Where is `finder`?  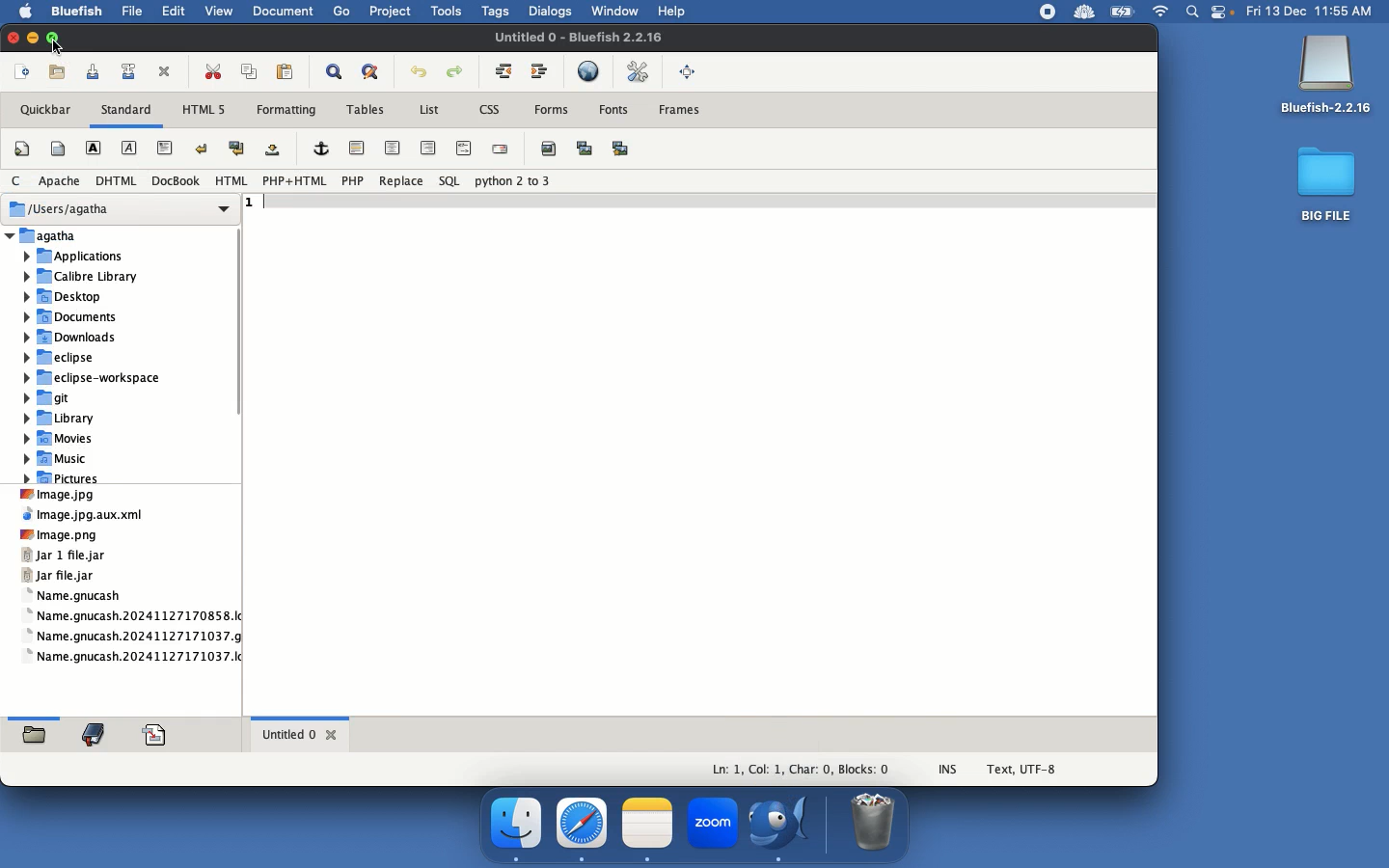
finder is located at coordinates (518, 824).